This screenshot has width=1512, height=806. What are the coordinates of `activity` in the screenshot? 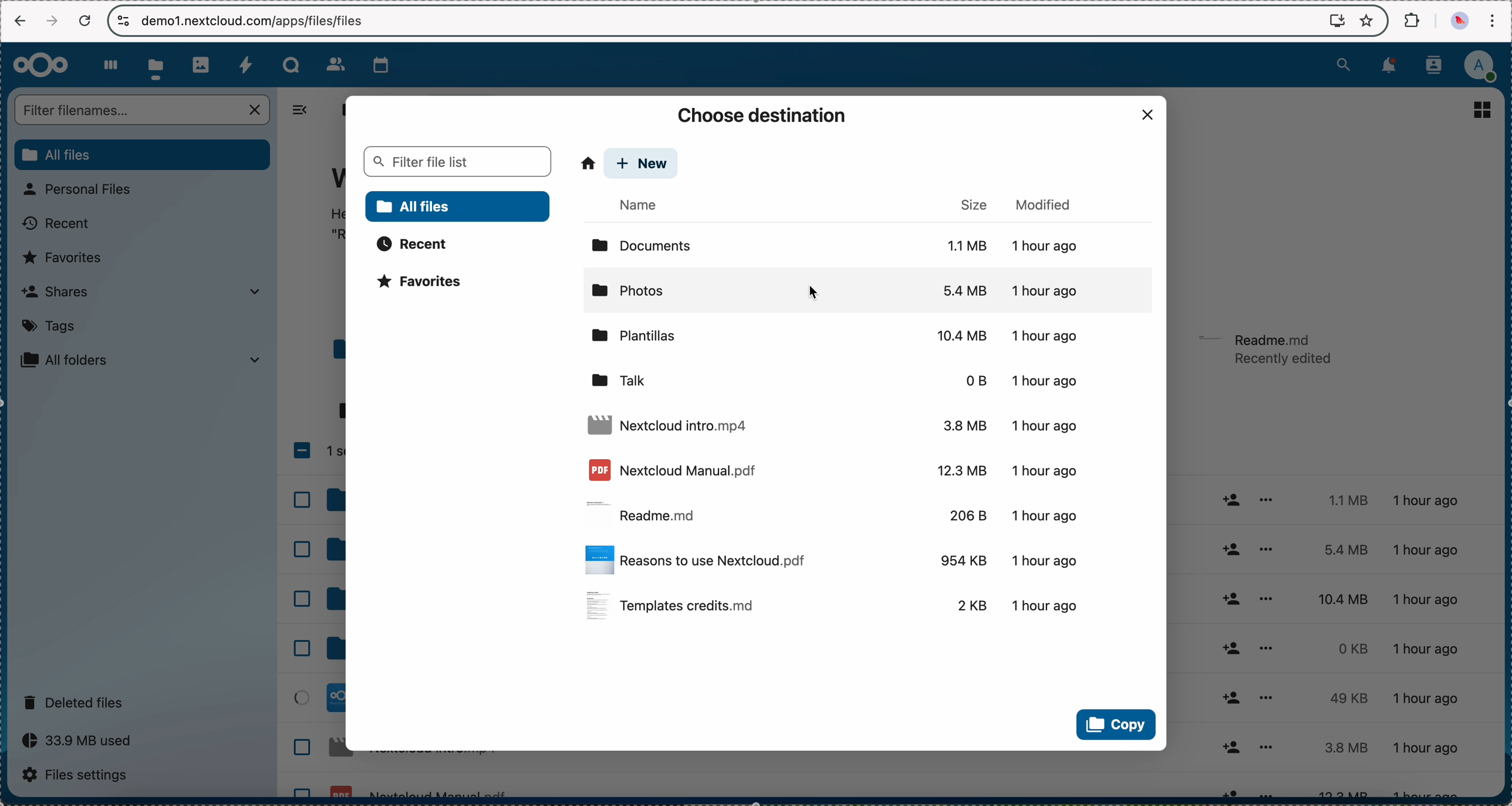 It's located at (245, 62).